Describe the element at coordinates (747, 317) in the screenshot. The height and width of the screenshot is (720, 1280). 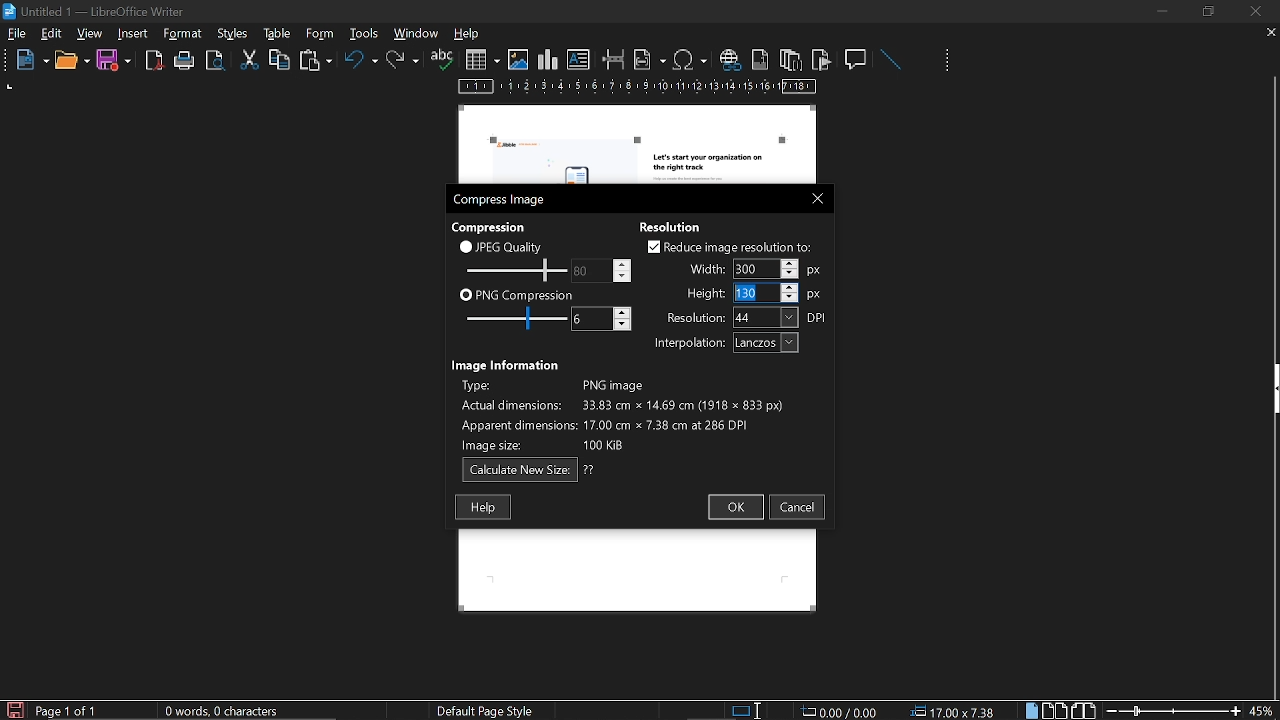
I see `resolution` at that location.